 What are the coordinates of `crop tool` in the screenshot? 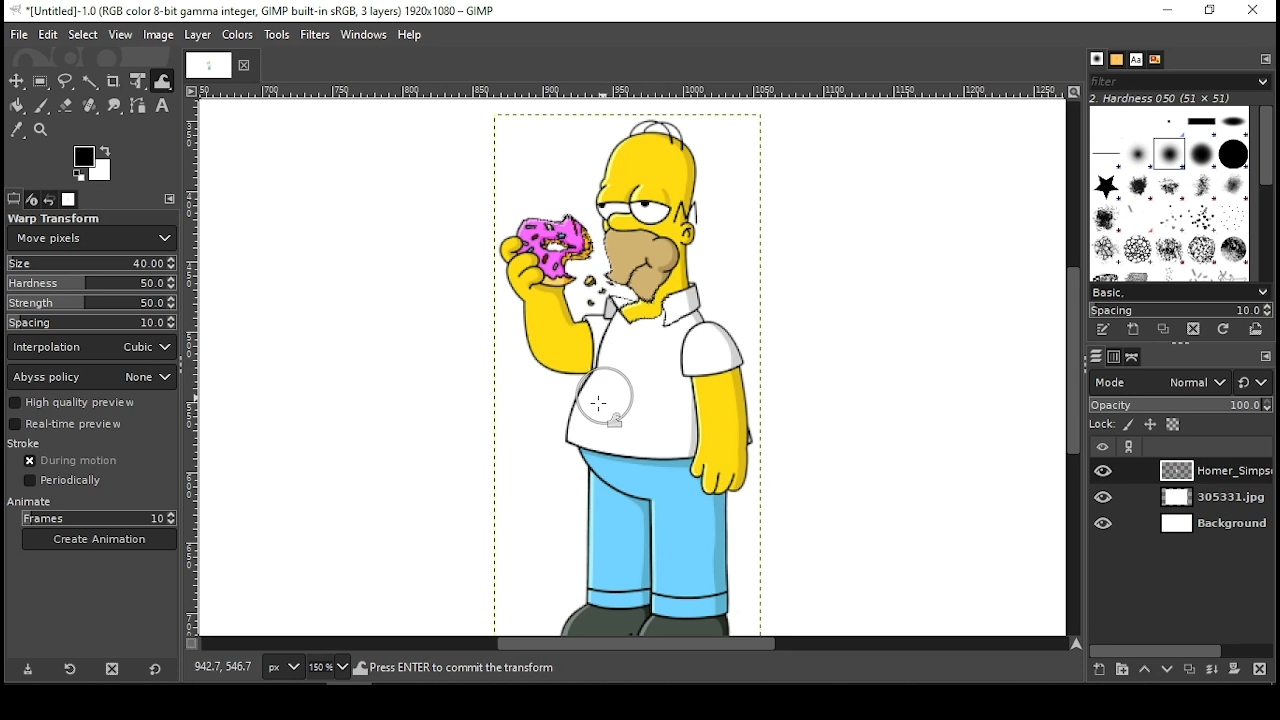 It's located at (114, 81).